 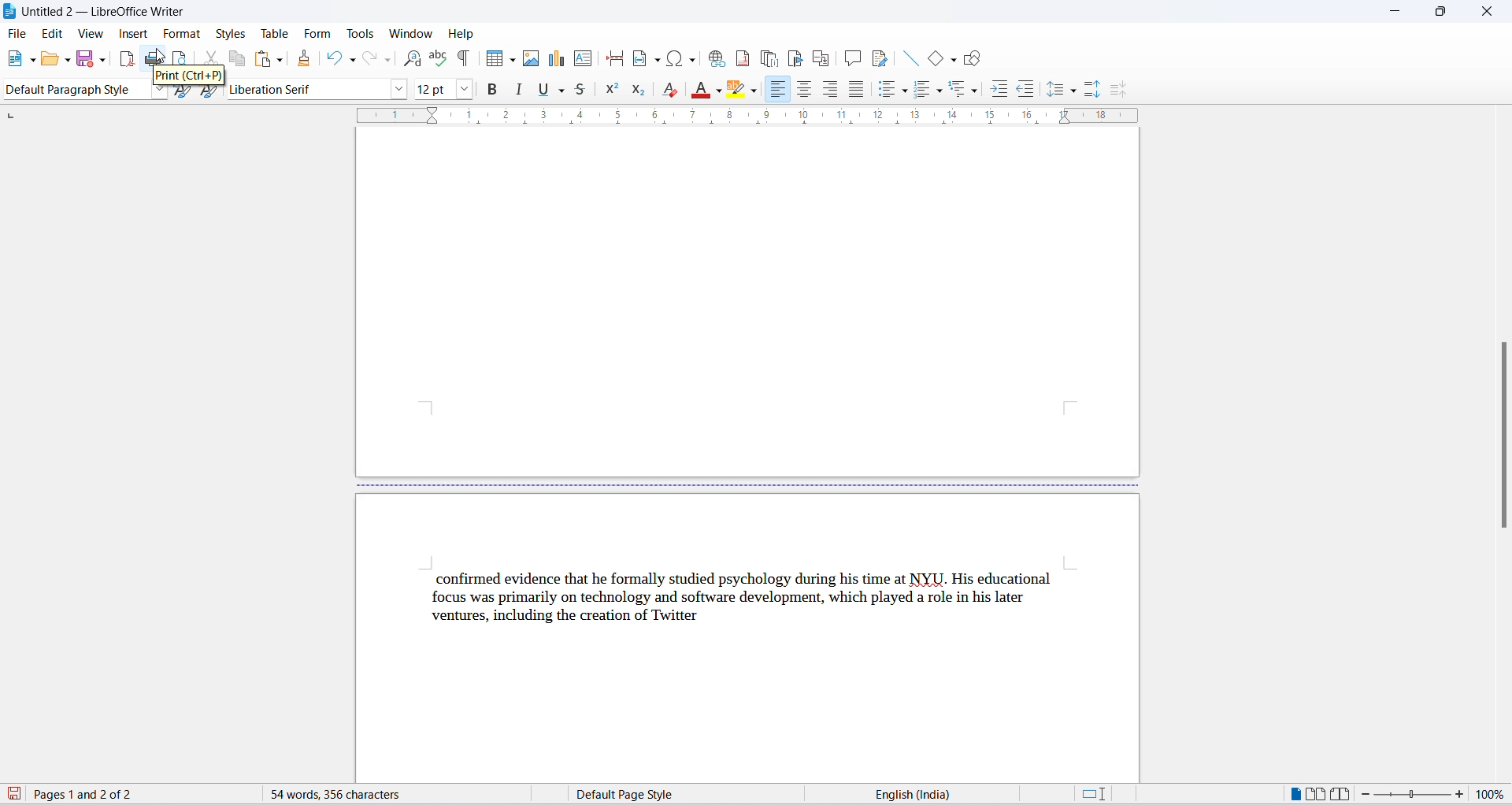 What do you see at coordinates (210, 95) in the screenshot?
I see `new style form selection` at bounding box center [210, 95].